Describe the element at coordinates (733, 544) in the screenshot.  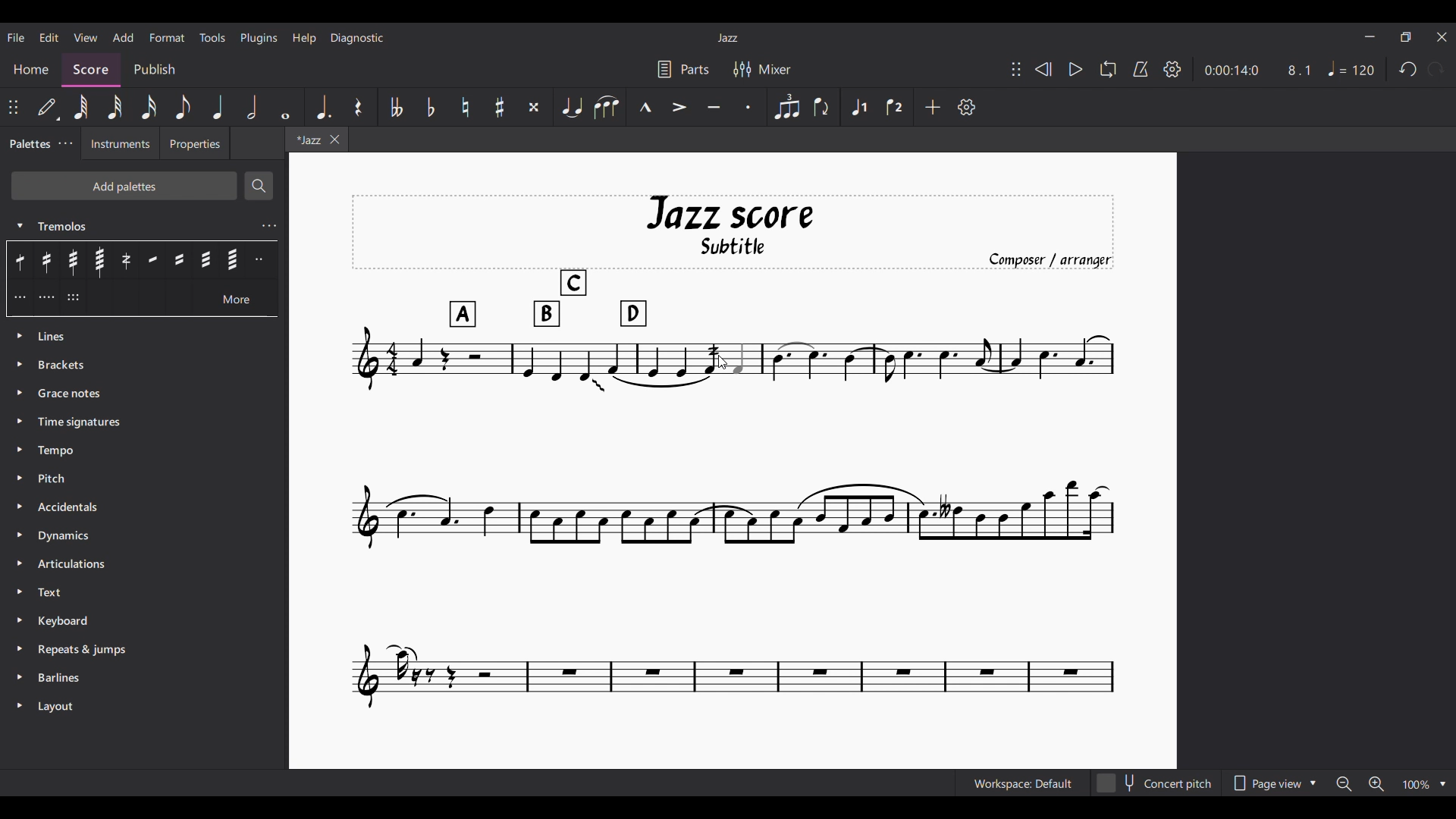
I see `Current score` at that location.